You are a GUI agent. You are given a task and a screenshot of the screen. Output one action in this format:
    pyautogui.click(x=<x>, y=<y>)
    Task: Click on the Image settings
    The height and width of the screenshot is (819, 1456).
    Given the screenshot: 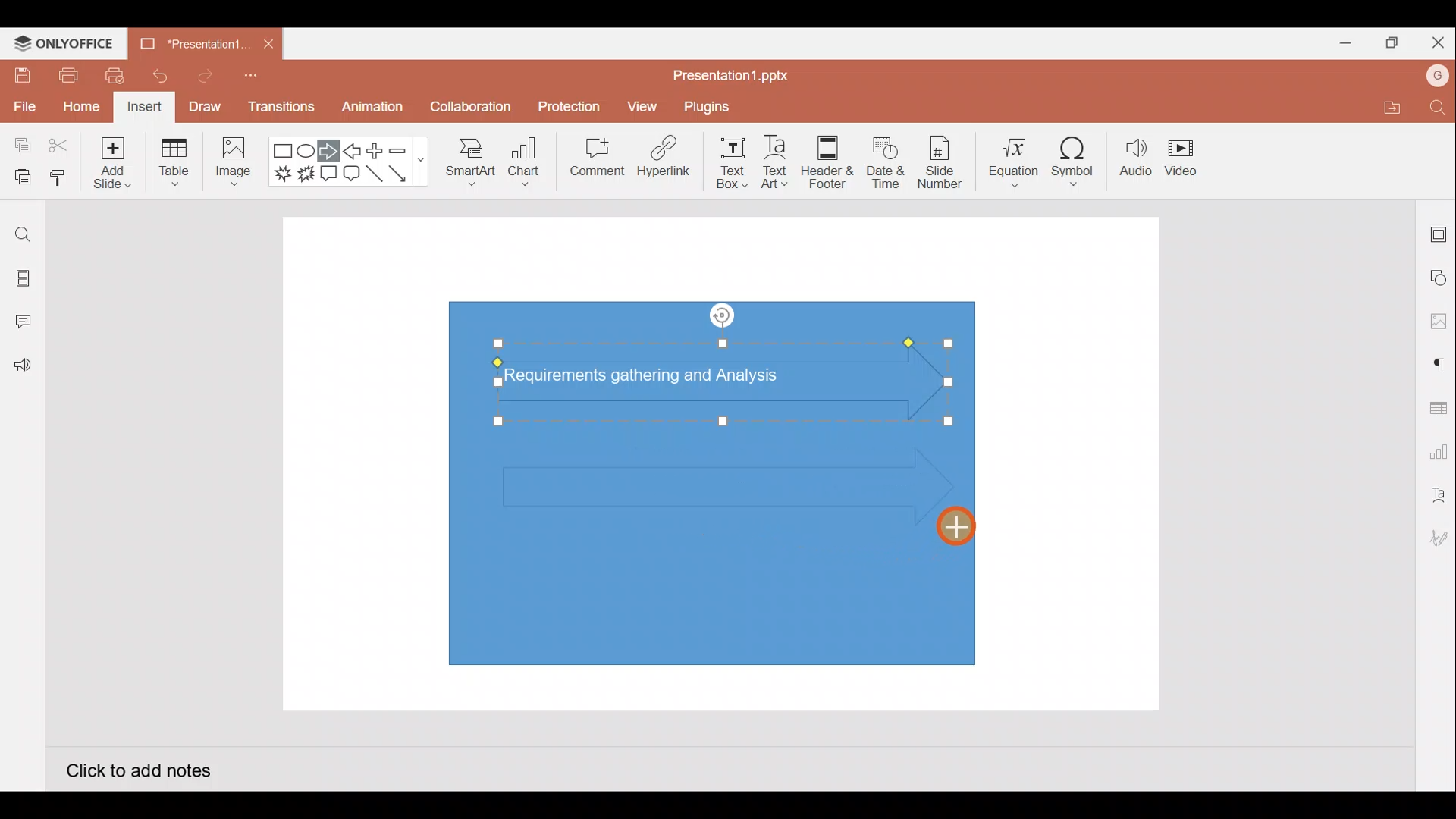 What is the action you would take?
    pyautogui.click(x=1439, y=322)
    